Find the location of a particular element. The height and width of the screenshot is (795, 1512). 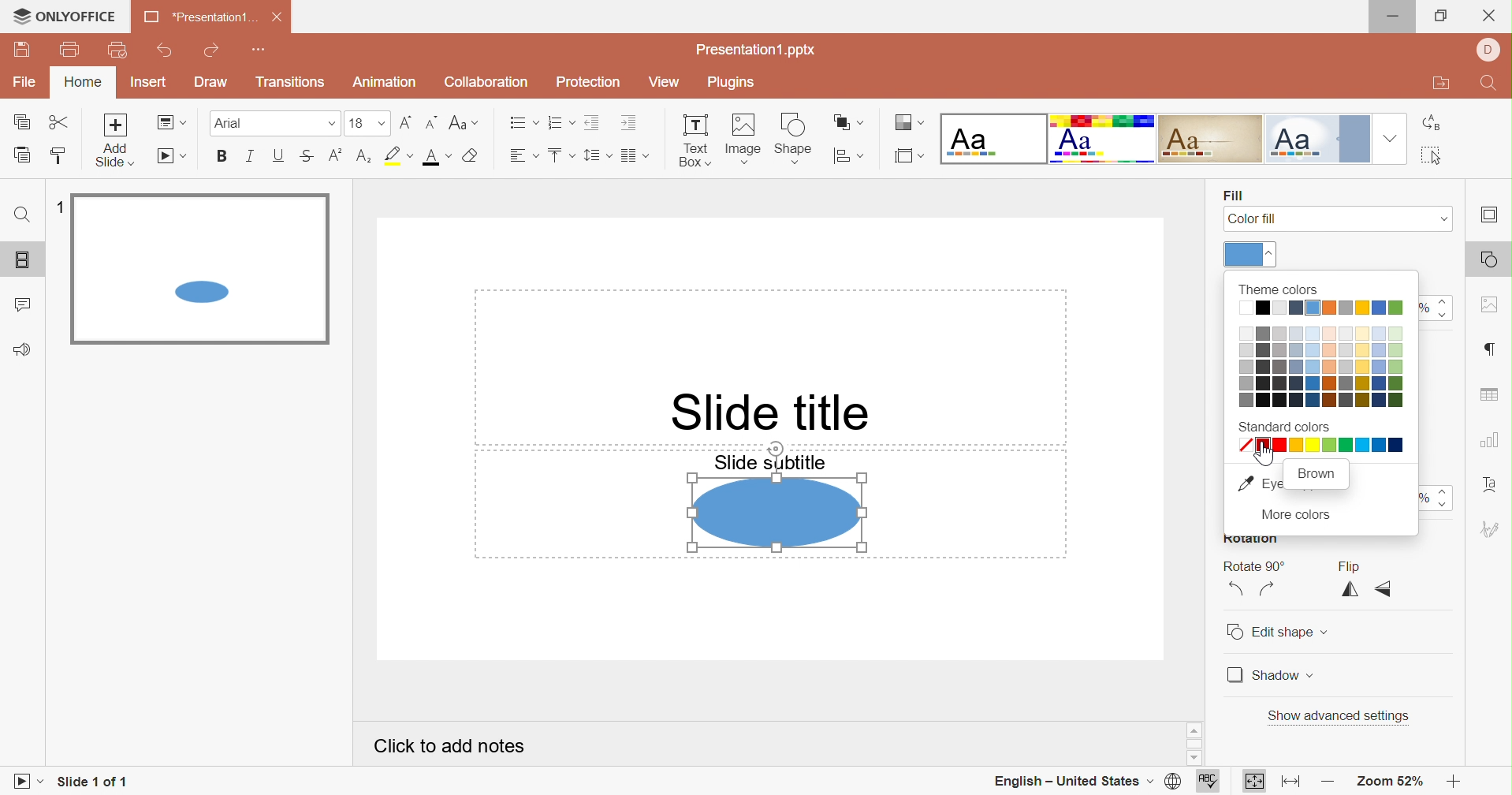

Slides is located at coordinates (23, 259).